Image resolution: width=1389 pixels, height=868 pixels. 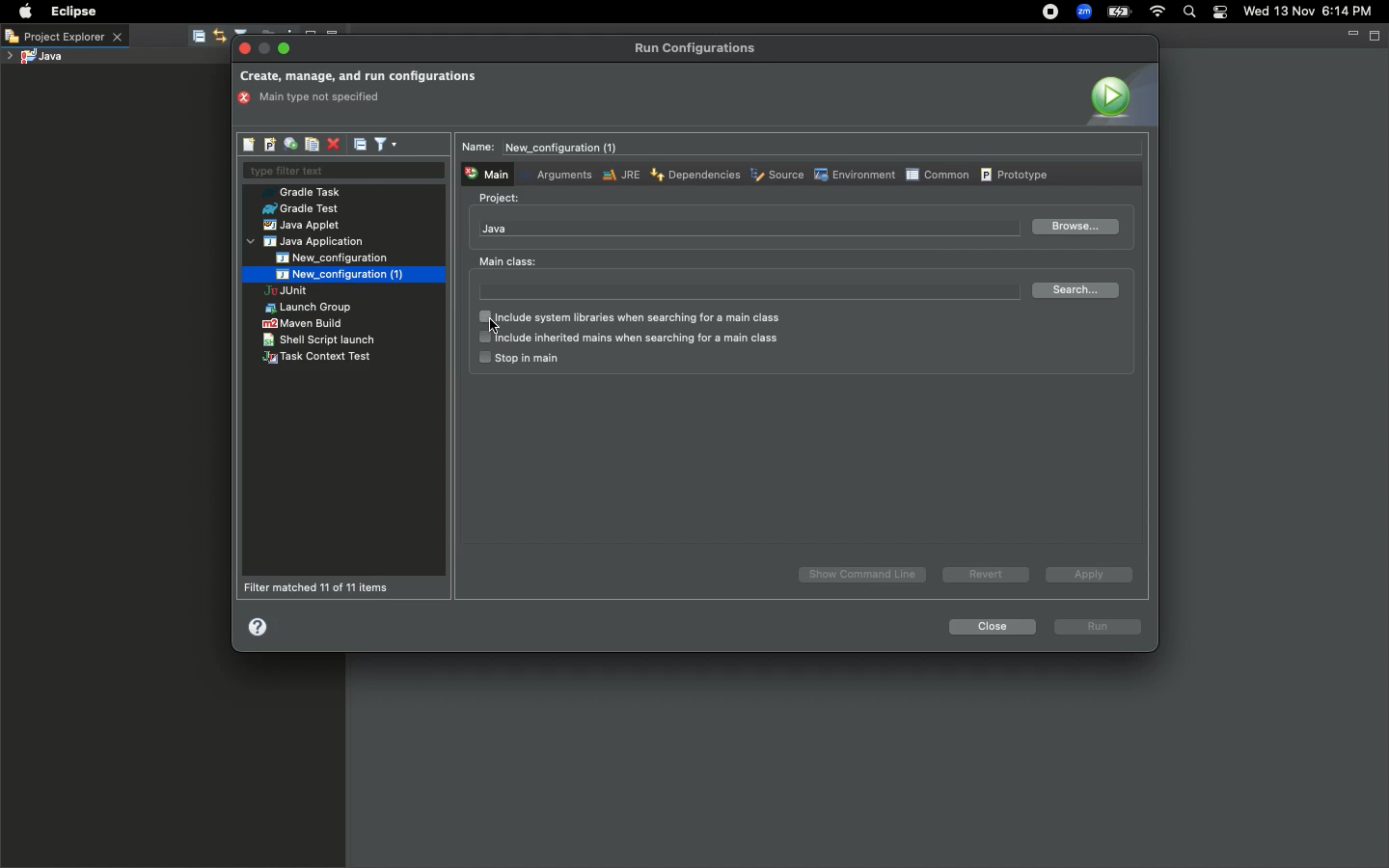 I want to click on Icon, so click(x=1119, y=95).